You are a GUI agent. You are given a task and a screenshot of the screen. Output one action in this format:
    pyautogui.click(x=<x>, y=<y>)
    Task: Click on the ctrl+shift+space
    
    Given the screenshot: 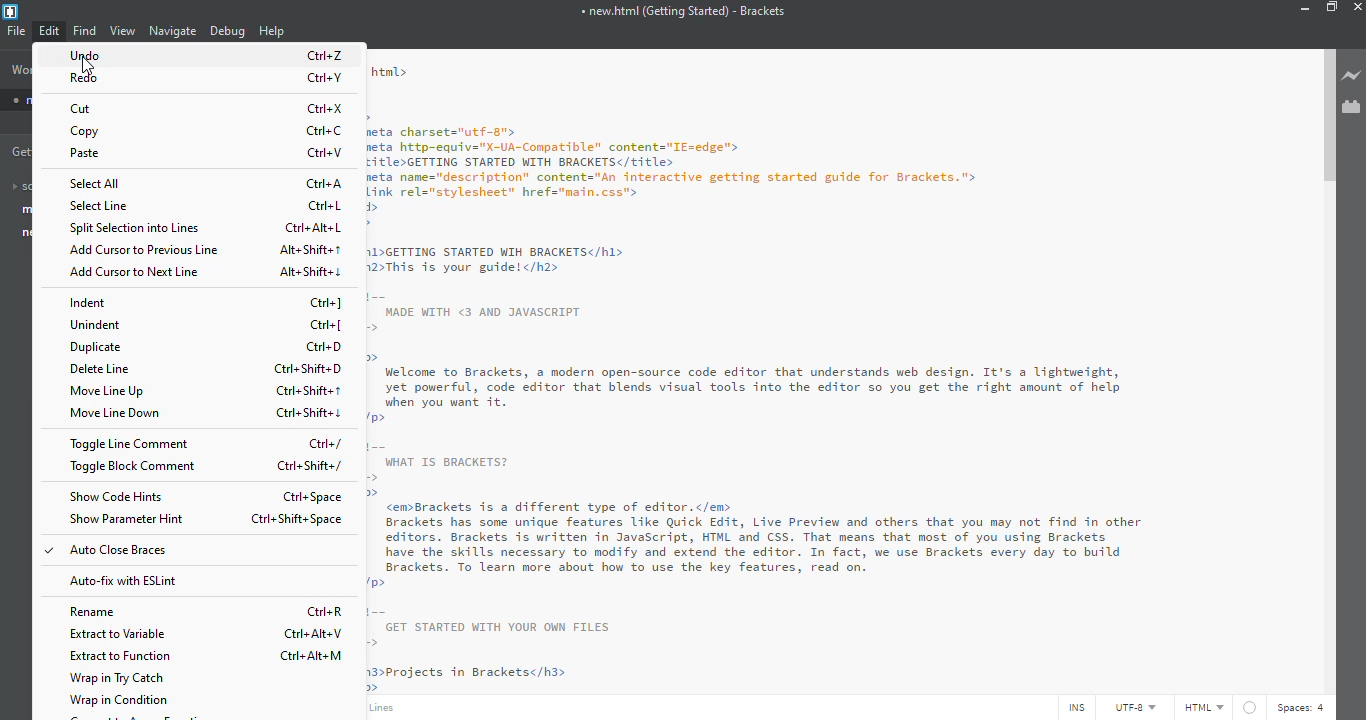 What is the action you would take?
    pyautogui.click(x=298, y=519)
    